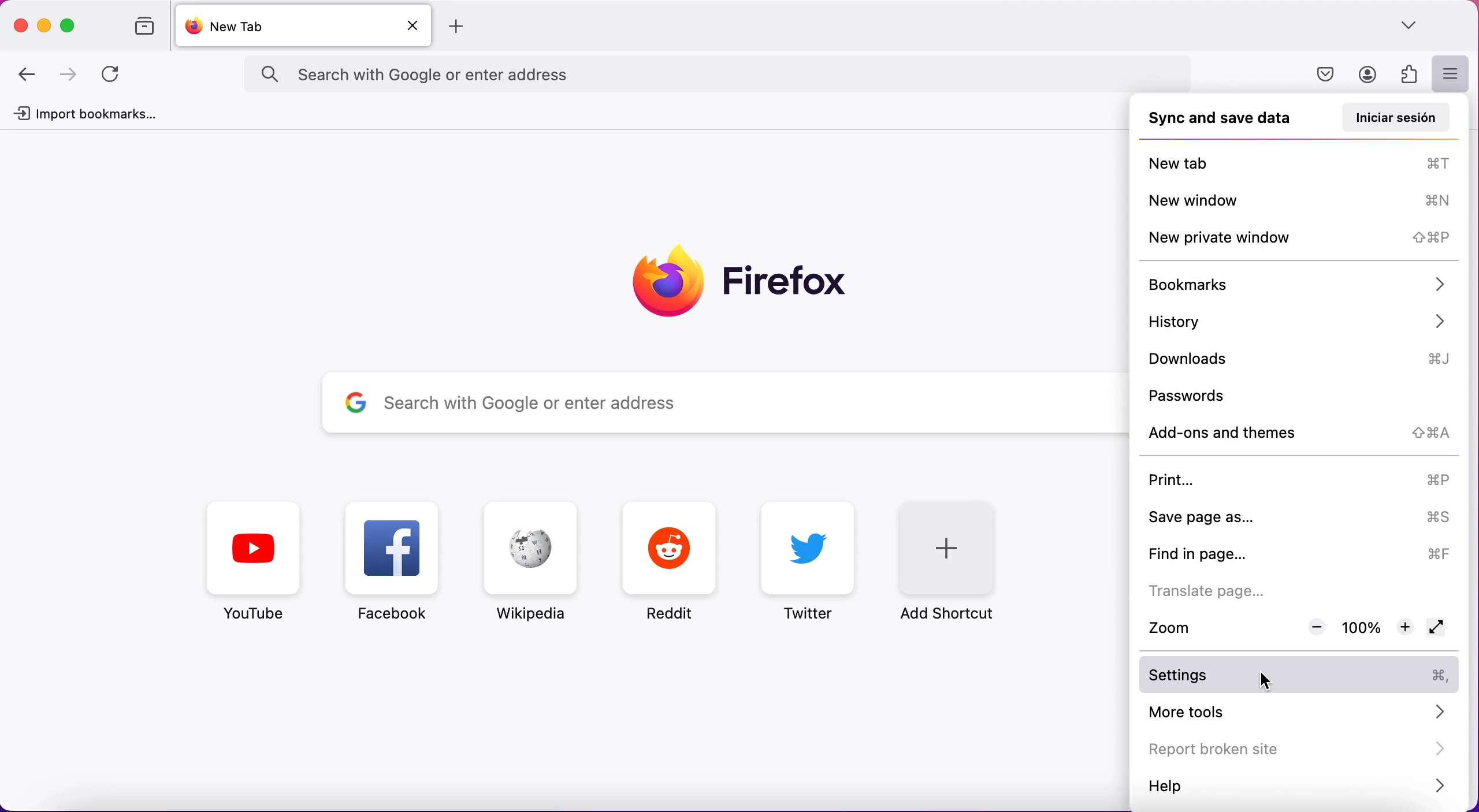  What do you see at coordinates (812, 561) in the screenshot?
I see `Twitter` at bounding box center [812, 561].